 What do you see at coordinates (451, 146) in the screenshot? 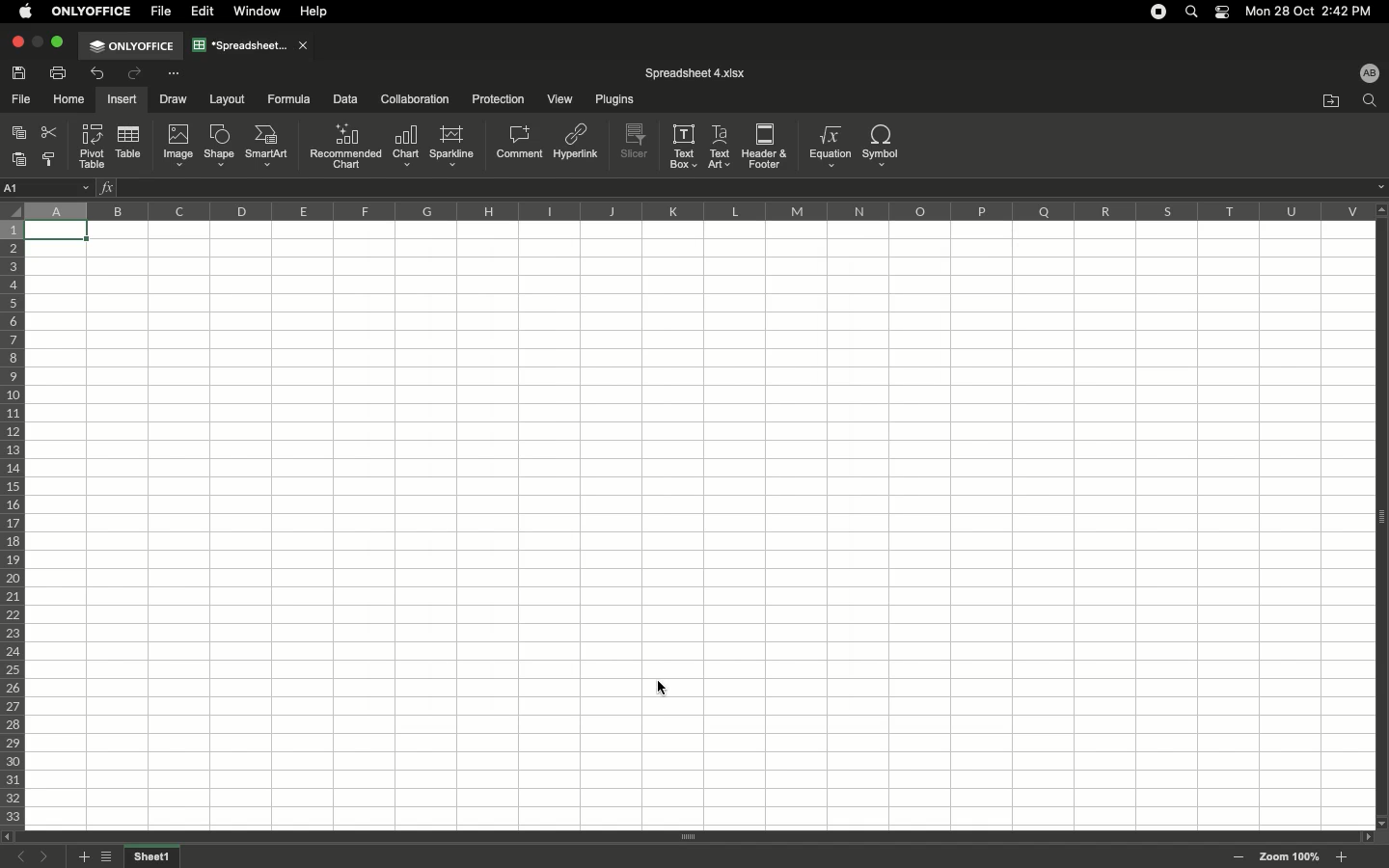
I see `Sparkline` at bounding box center [451, 146].